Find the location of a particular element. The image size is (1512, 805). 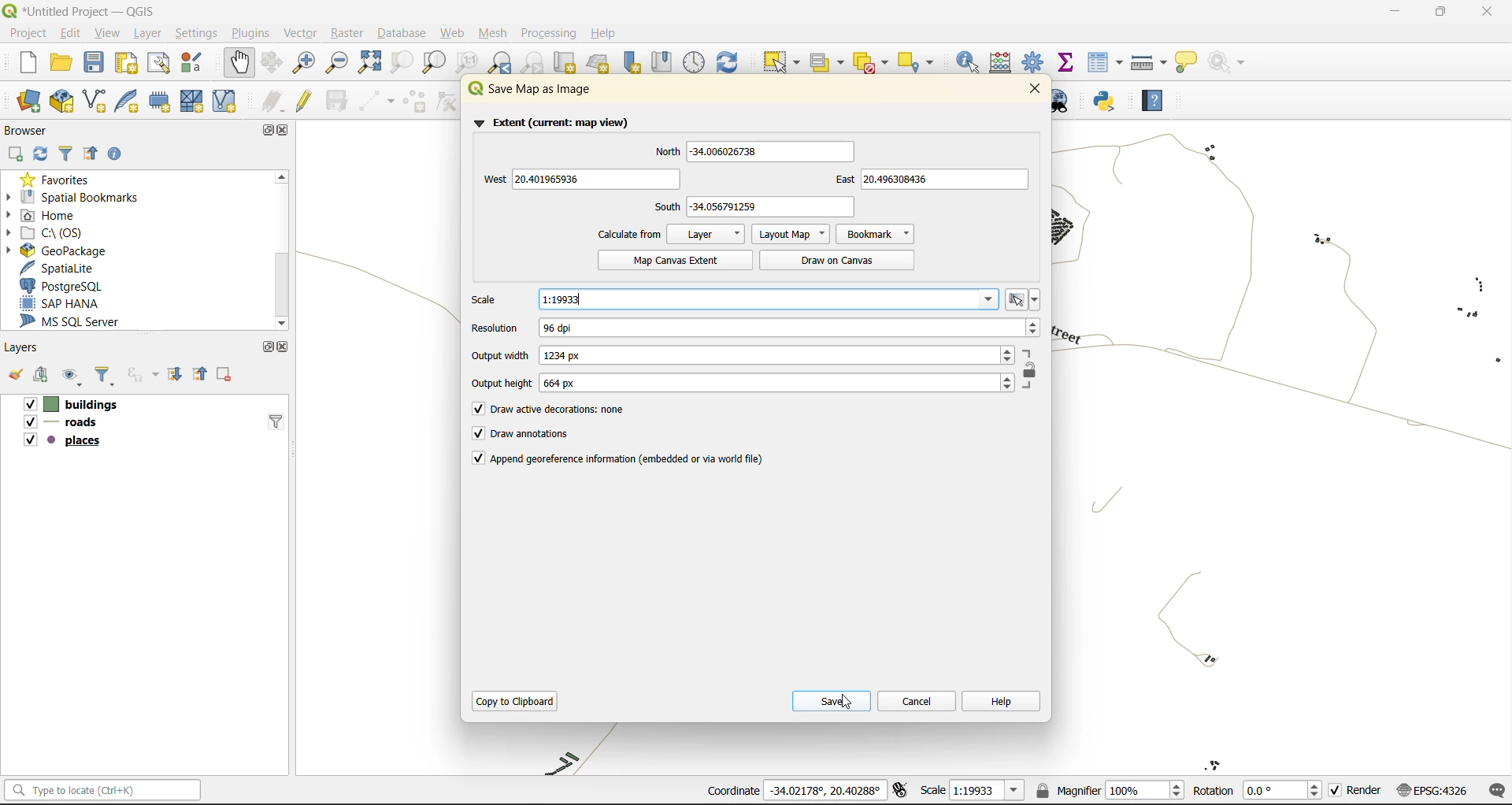

postgresql is located at coordinates (65, 284).